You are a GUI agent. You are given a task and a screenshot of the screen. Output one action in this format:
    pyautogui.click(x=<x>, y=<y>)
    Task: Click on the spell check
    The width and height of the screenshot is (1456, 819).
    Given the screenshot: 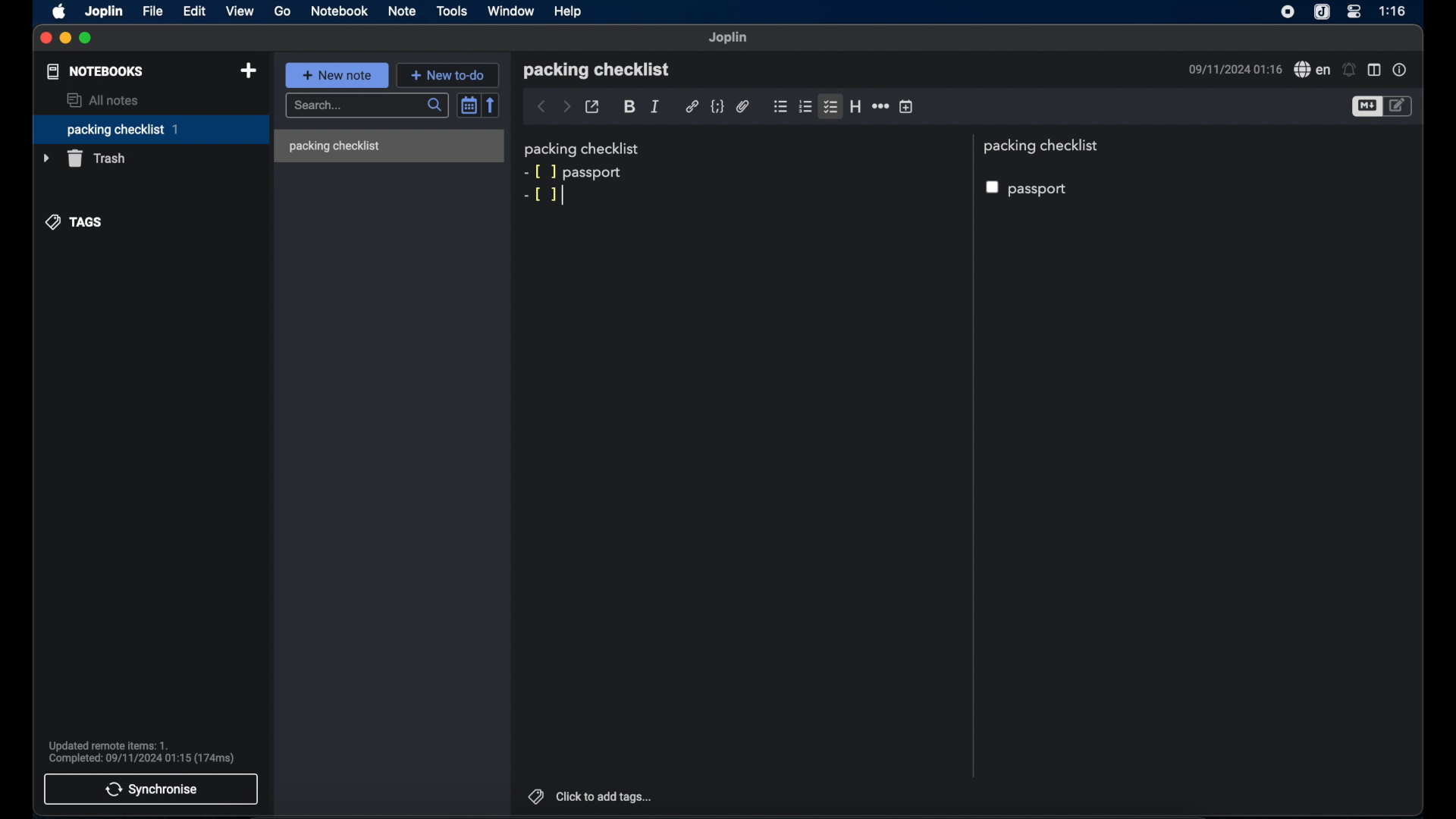 What is the action you would take?
    pyautogui.click(x=1312, y=70)
    